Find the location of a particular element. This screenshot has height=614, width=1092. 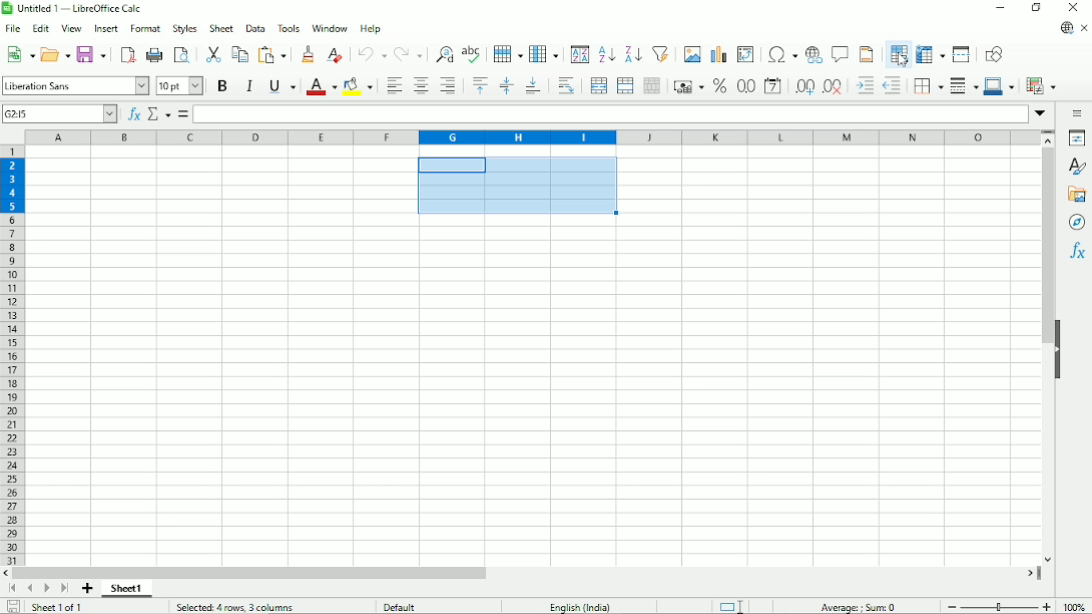

undo is located at coordinates (370, 54).